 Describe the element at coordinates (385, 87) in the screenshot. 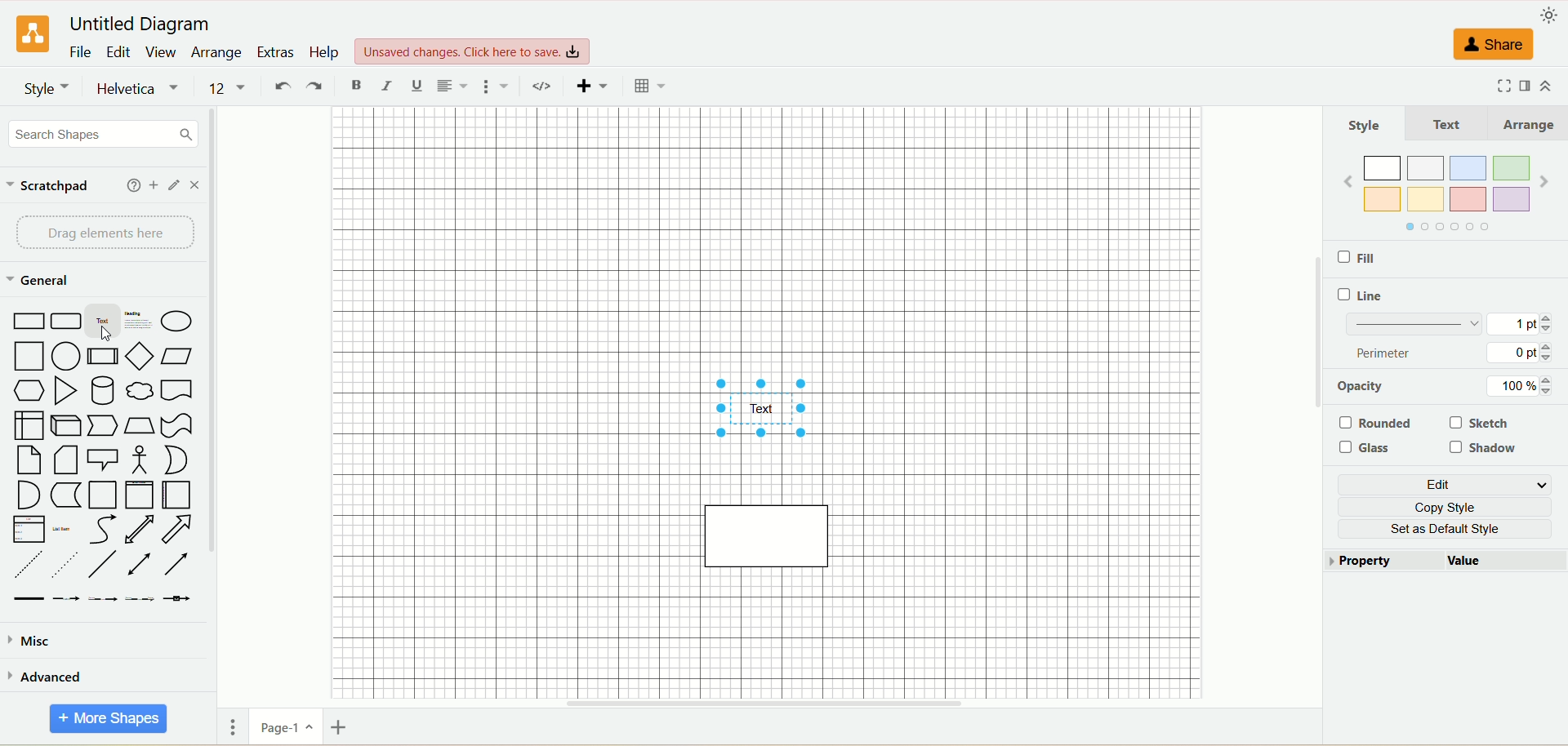

I see `text italic` at that location.